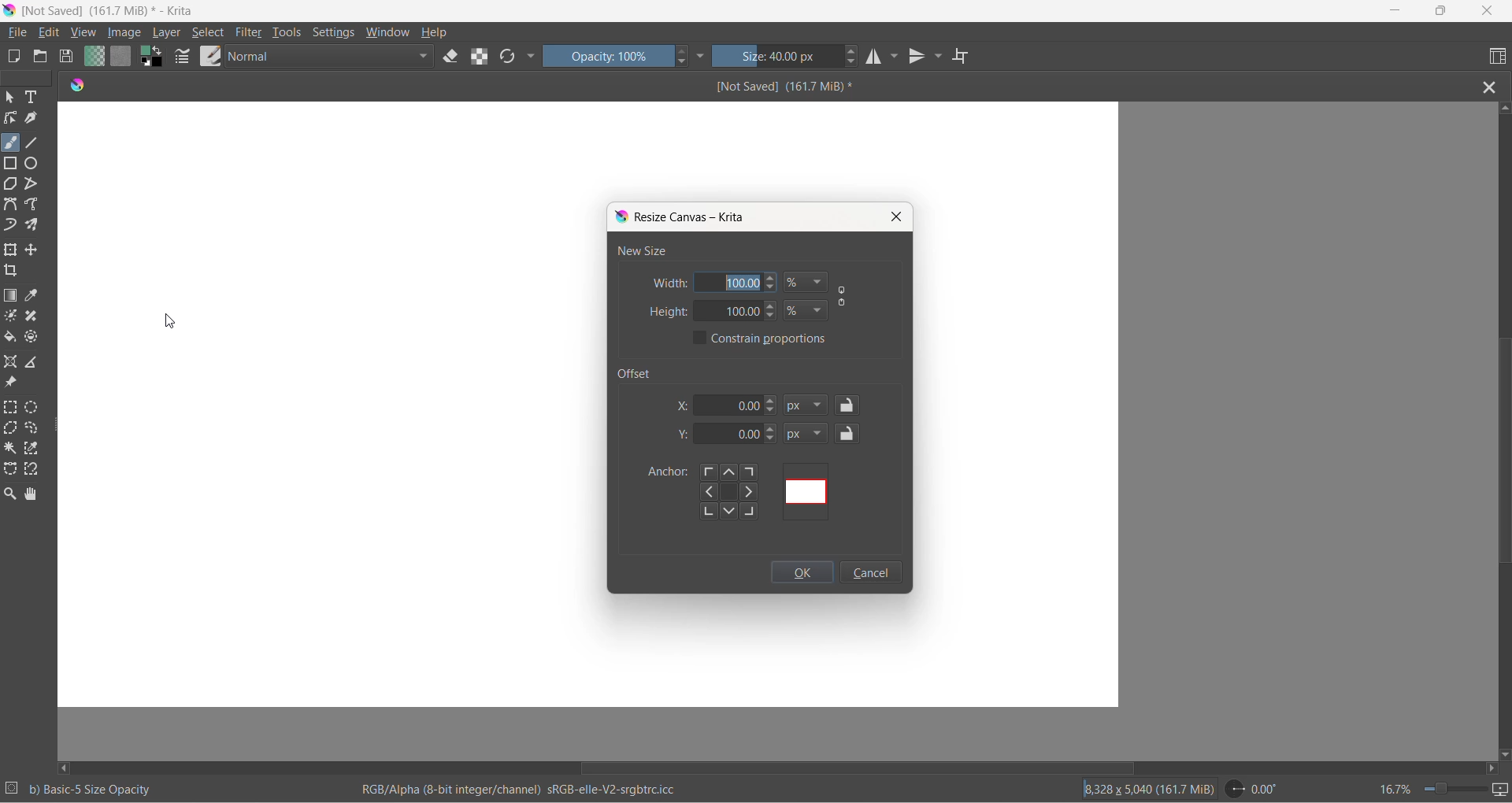  What do you see at coordinates (728, 435) in the screenshot?
I see `y-axis value box` at bounding box center [728, 435].